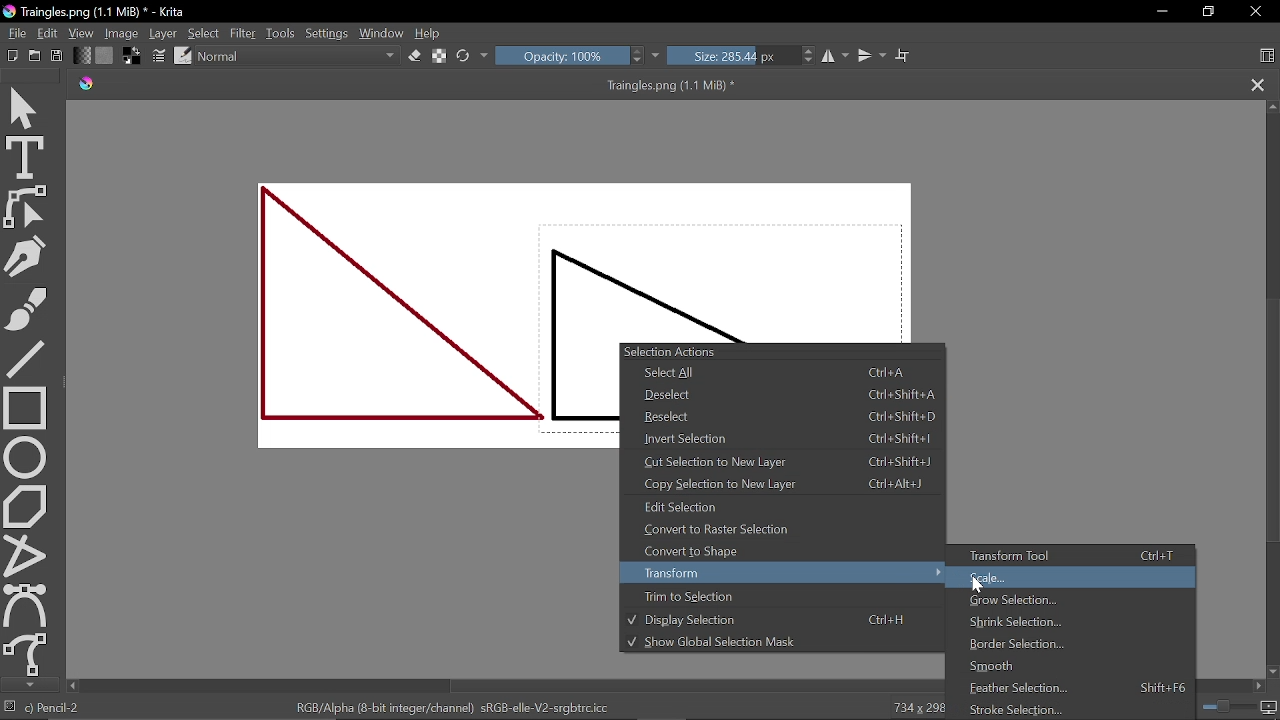 This screenshot has height=720, width=1280. Describe the element at coordinates (298, 57) in the screenshot. I see `Normal` at that location.